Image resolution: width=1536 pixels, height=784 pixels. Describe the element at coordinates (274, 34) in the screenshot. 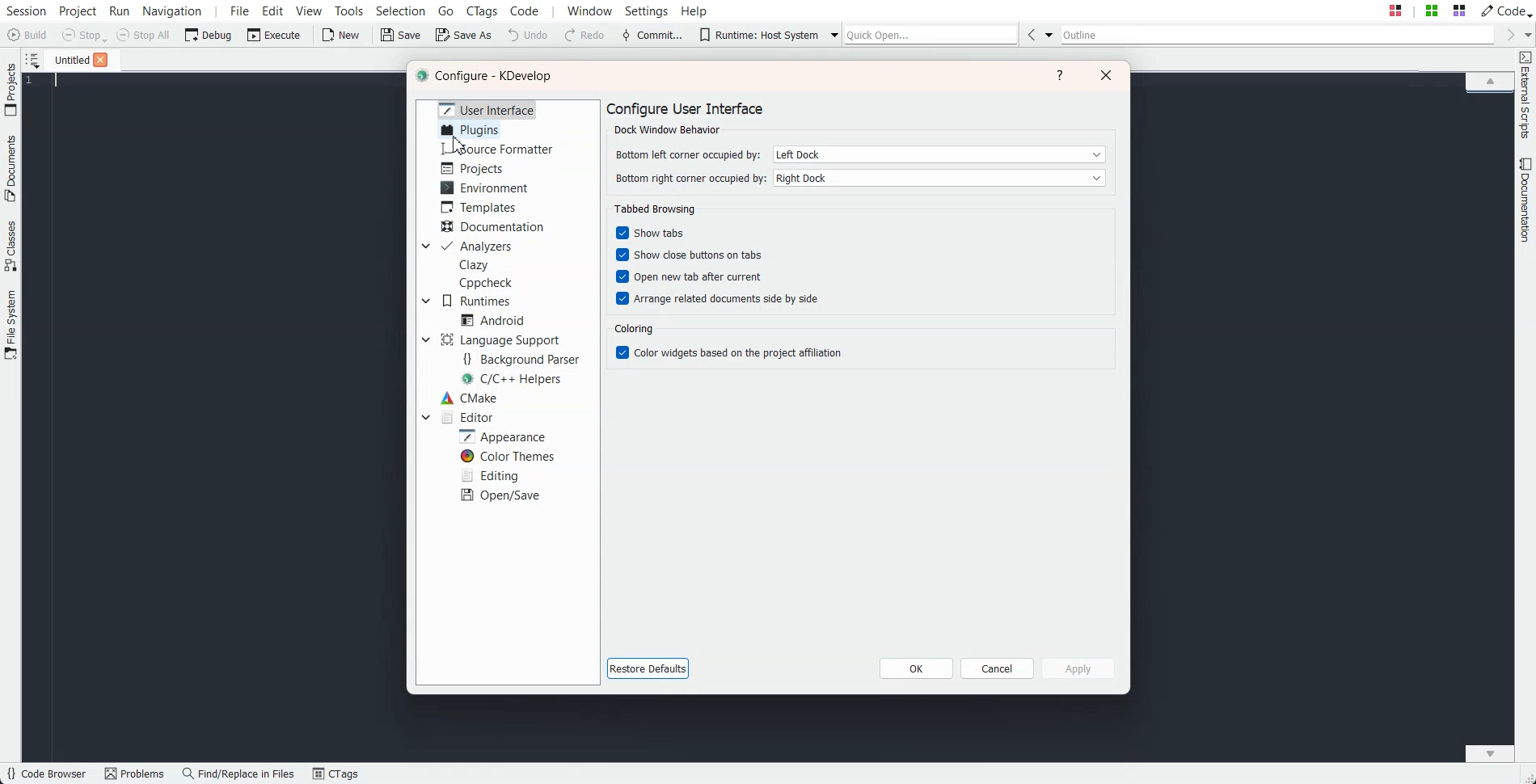

I see `Execute` at that location.